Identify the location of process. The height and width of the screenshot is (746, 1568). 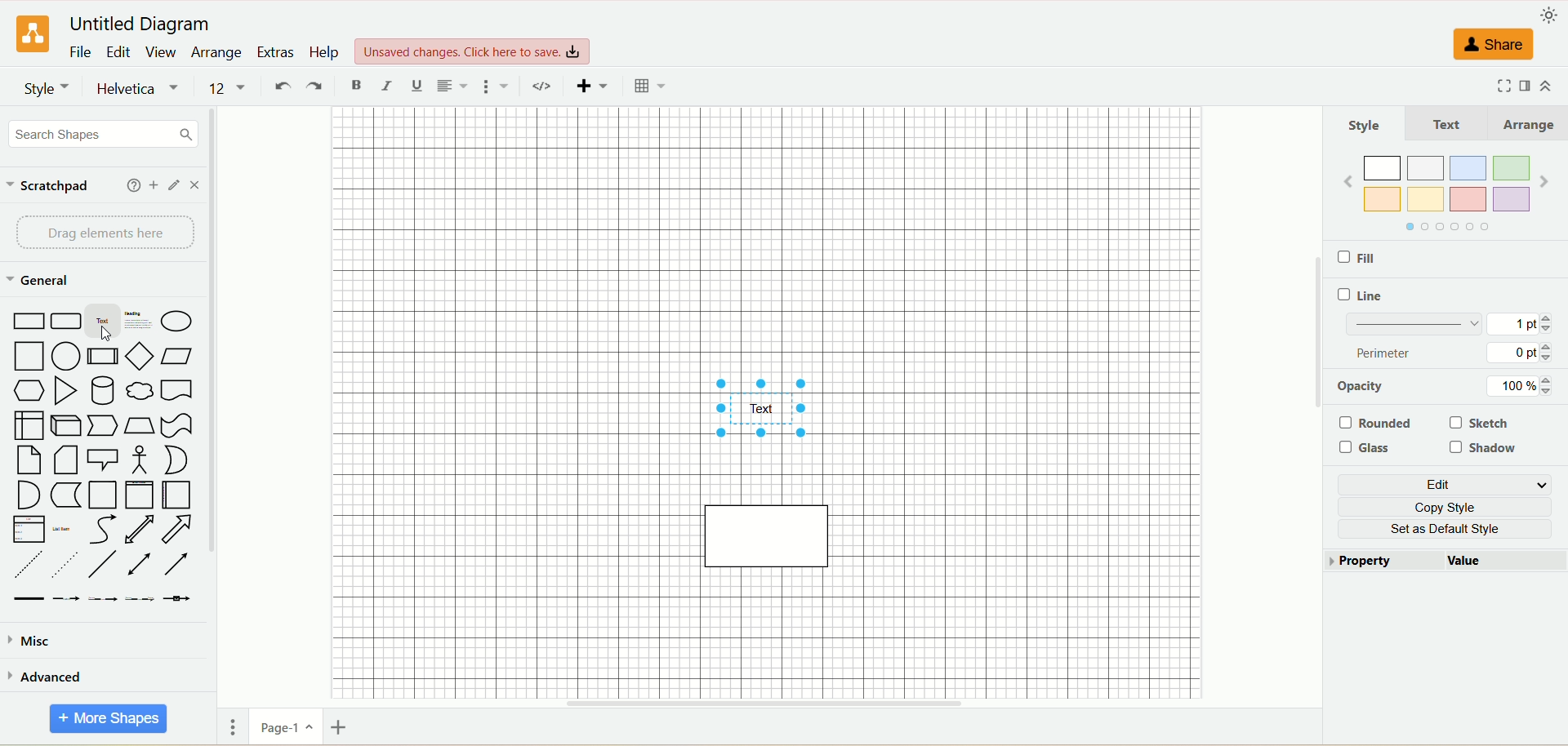
(102, 356).